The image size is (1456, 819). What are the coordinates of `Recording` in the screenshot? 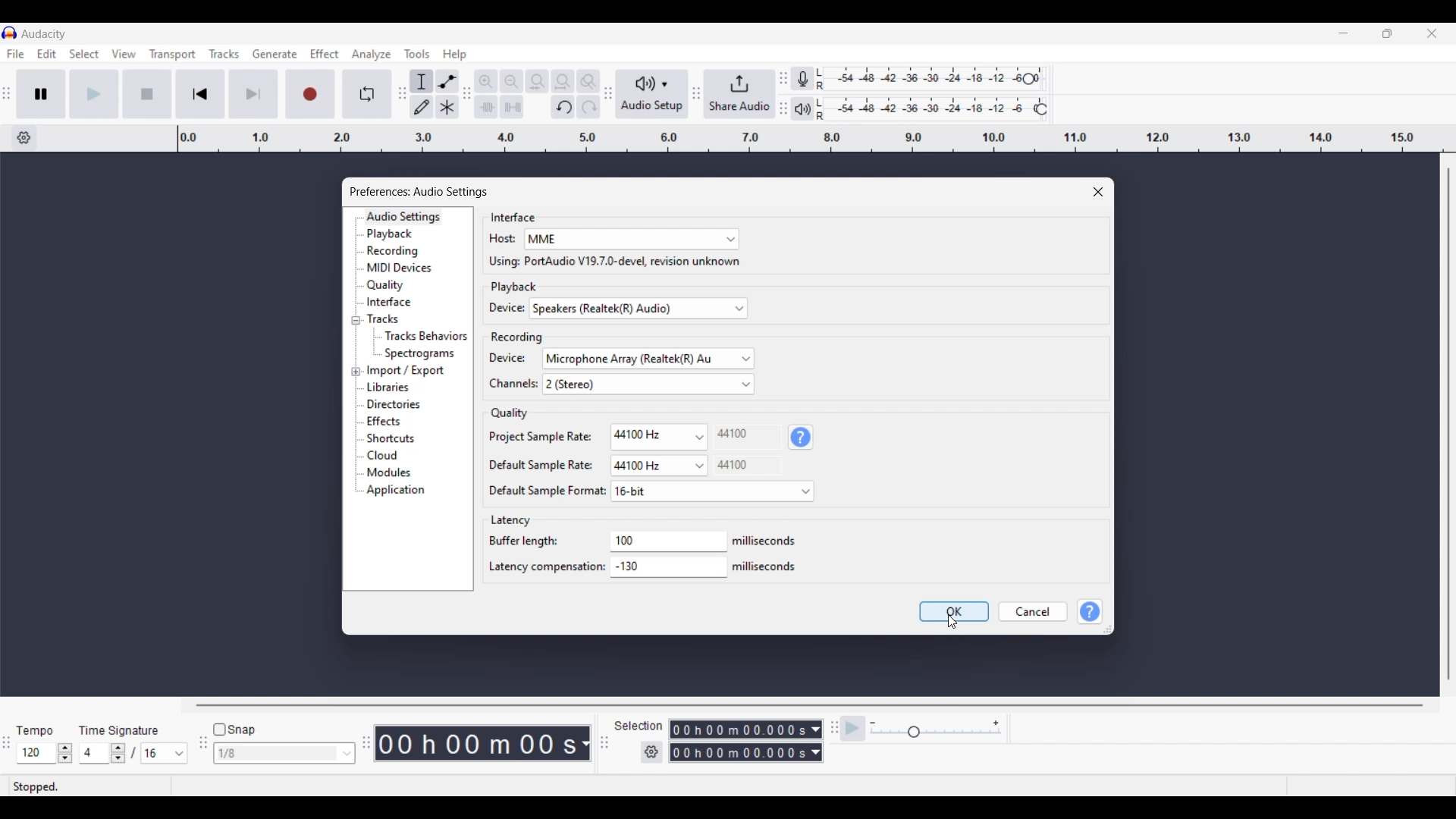 It's located at (513, 336).